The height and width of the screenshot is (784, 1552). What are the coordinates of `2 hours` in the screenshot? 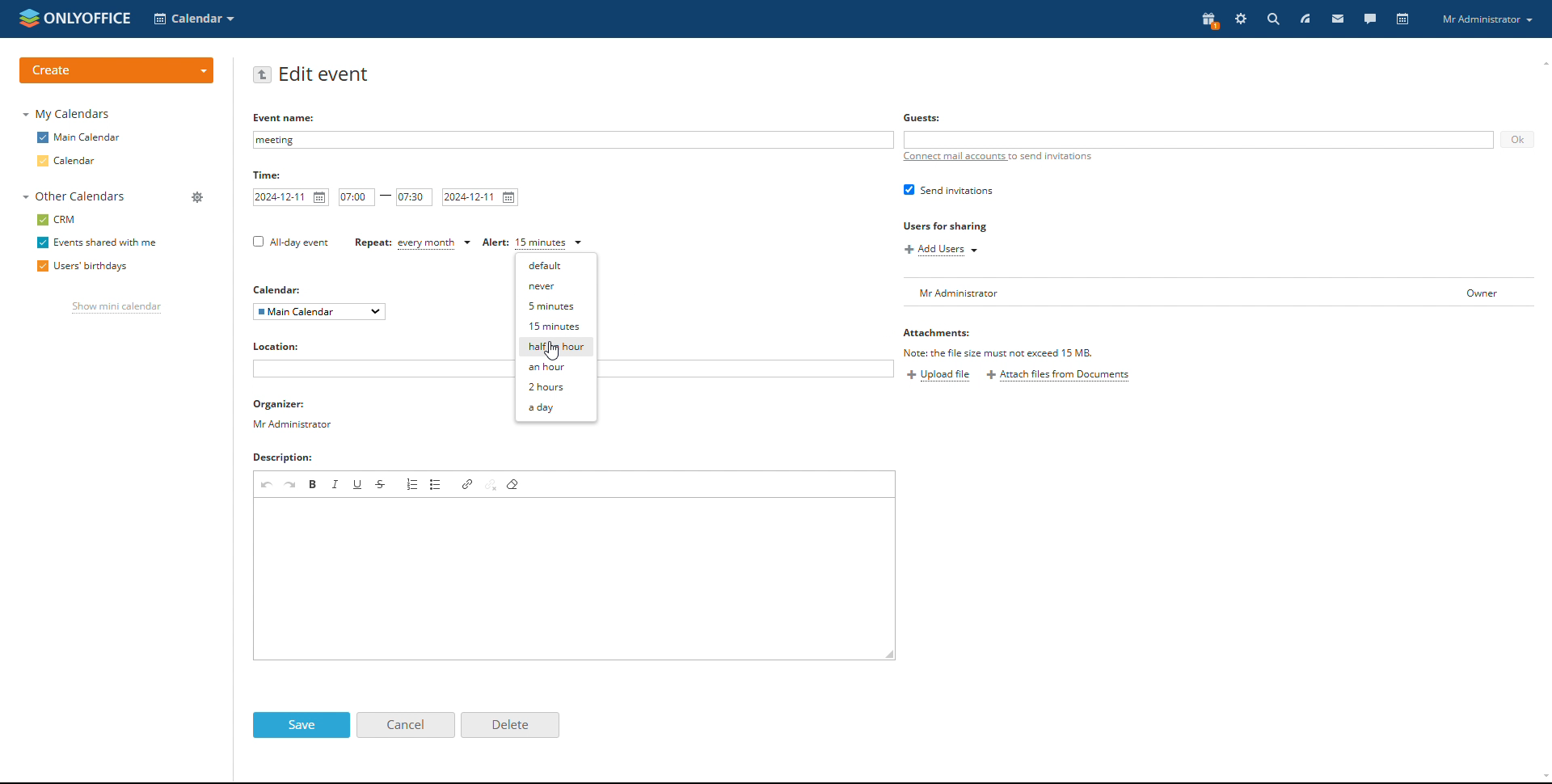 It's located at (555, 387).